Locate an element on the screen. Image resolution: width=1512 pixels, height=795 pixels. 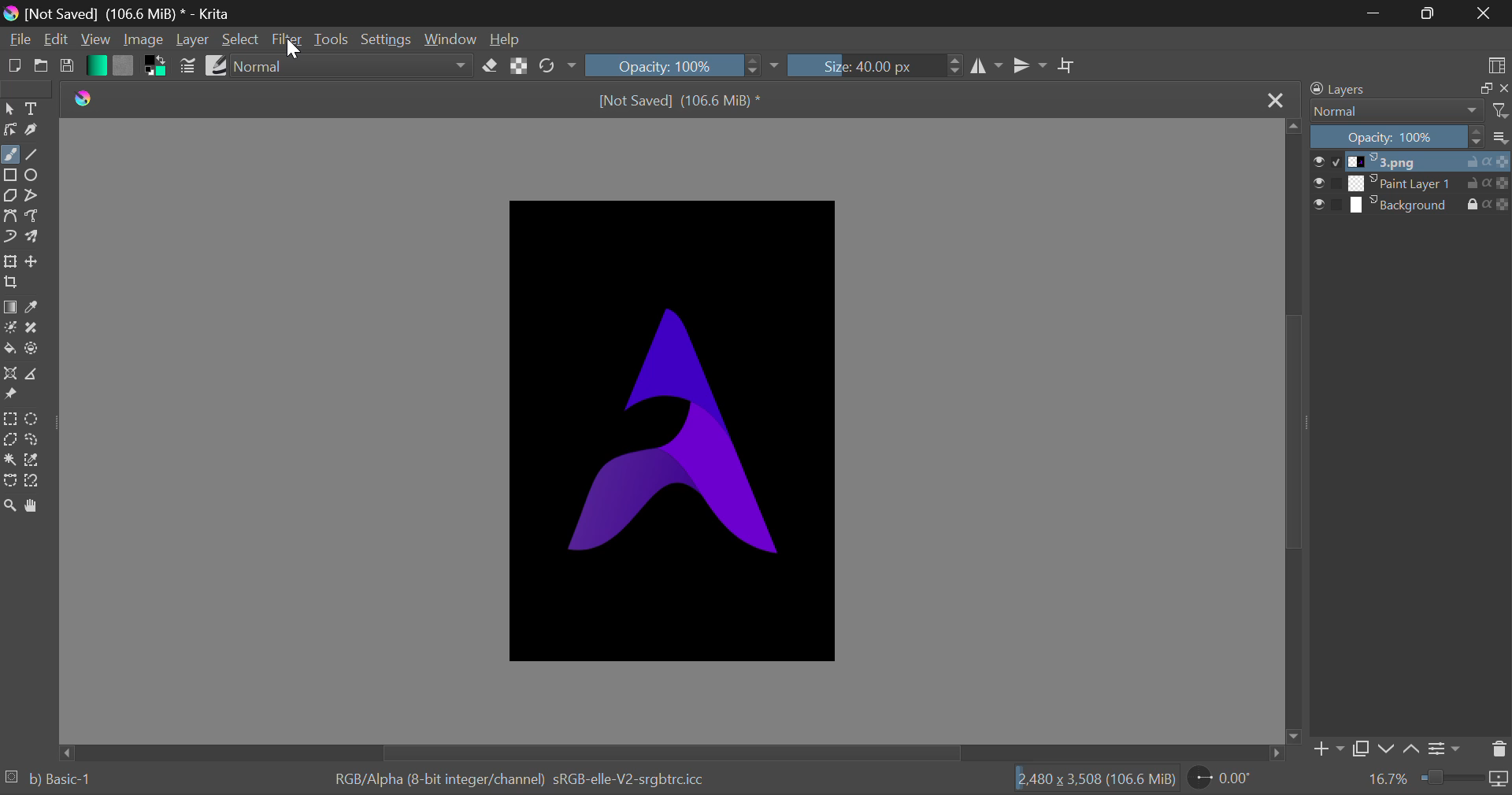
Cursor Position is located at coordinates (291, 43).